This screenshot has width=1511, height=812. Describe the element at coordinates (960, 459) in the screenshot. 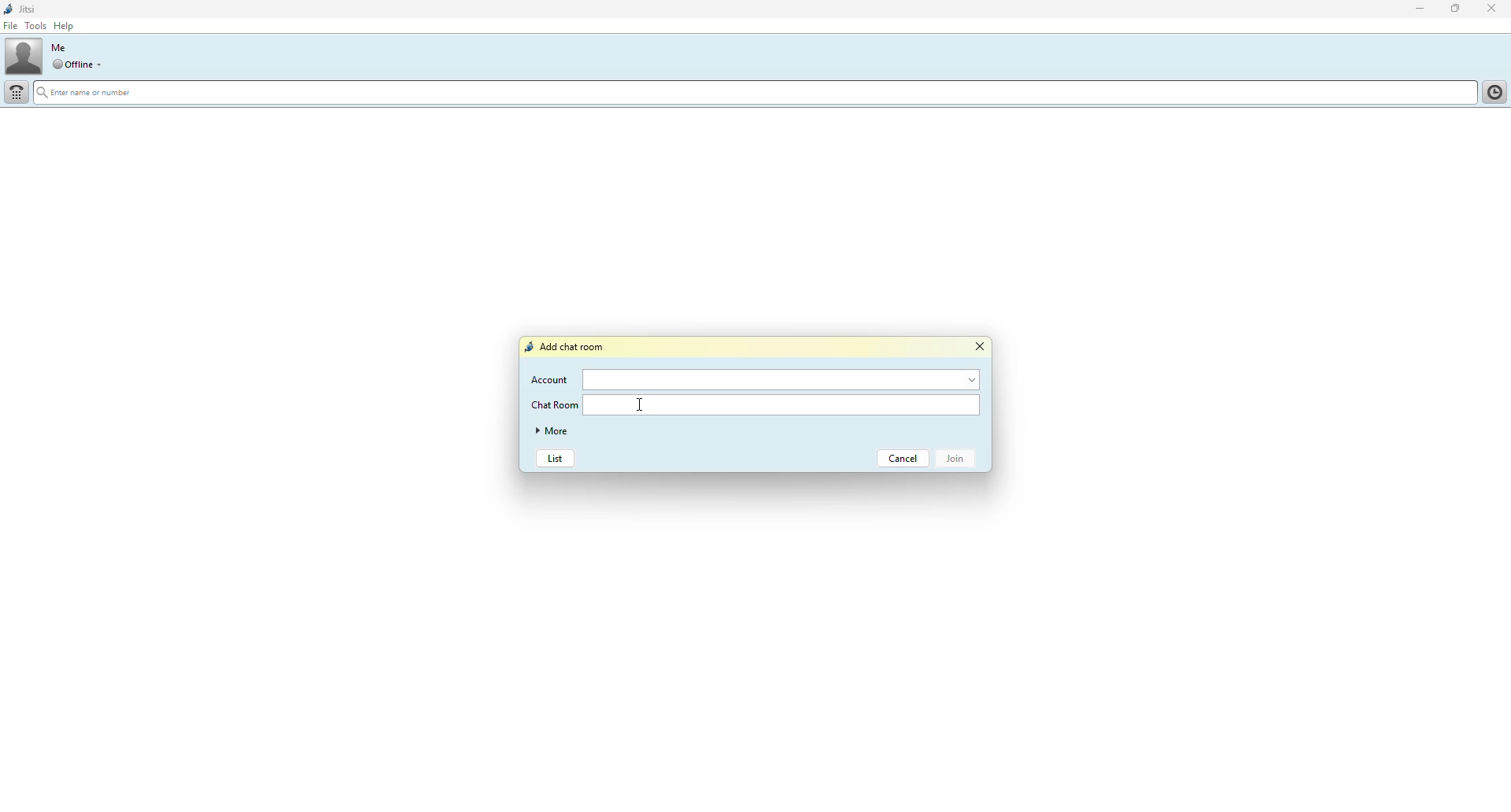

I see `join` at that location.